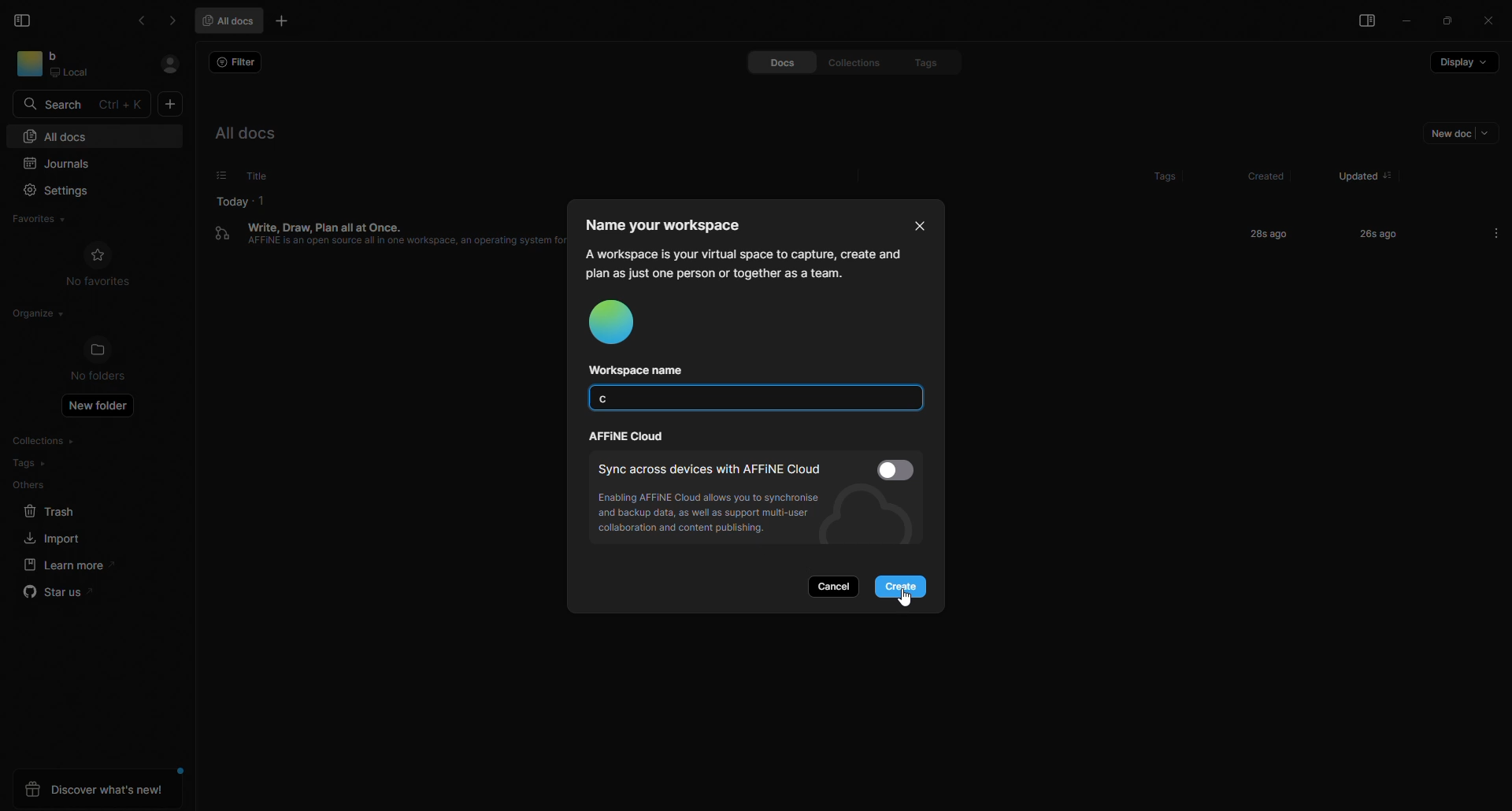  I want to click on collections, so click(848, 62).